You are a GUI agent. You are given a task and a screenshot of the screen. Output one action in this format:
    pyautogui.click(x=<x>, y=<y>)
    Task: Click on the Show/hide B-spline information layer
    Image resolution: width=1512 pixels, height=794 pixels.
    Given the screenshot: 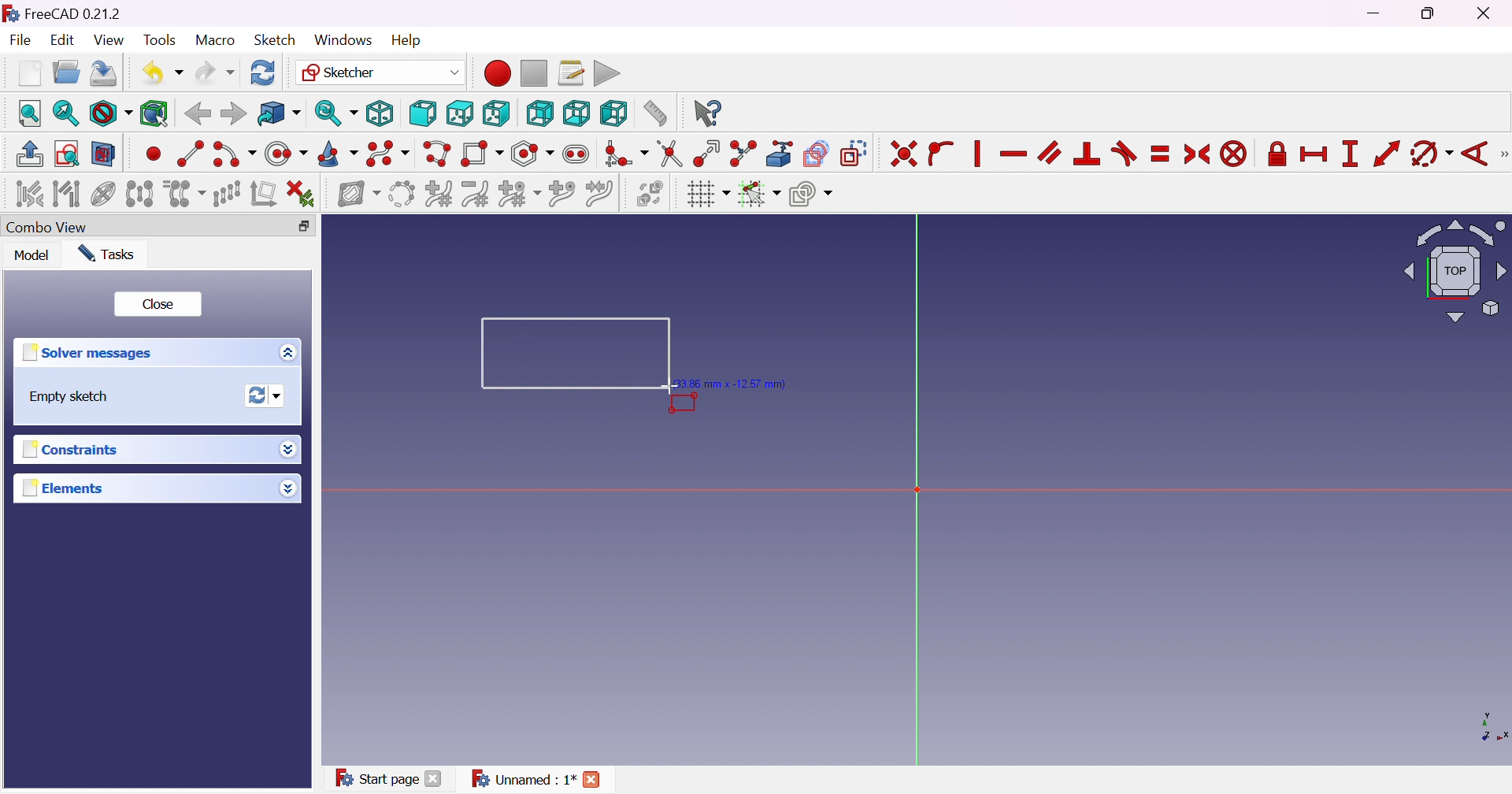 What is the action you would take?
    pyautogui.click(x=359, y=195)
    